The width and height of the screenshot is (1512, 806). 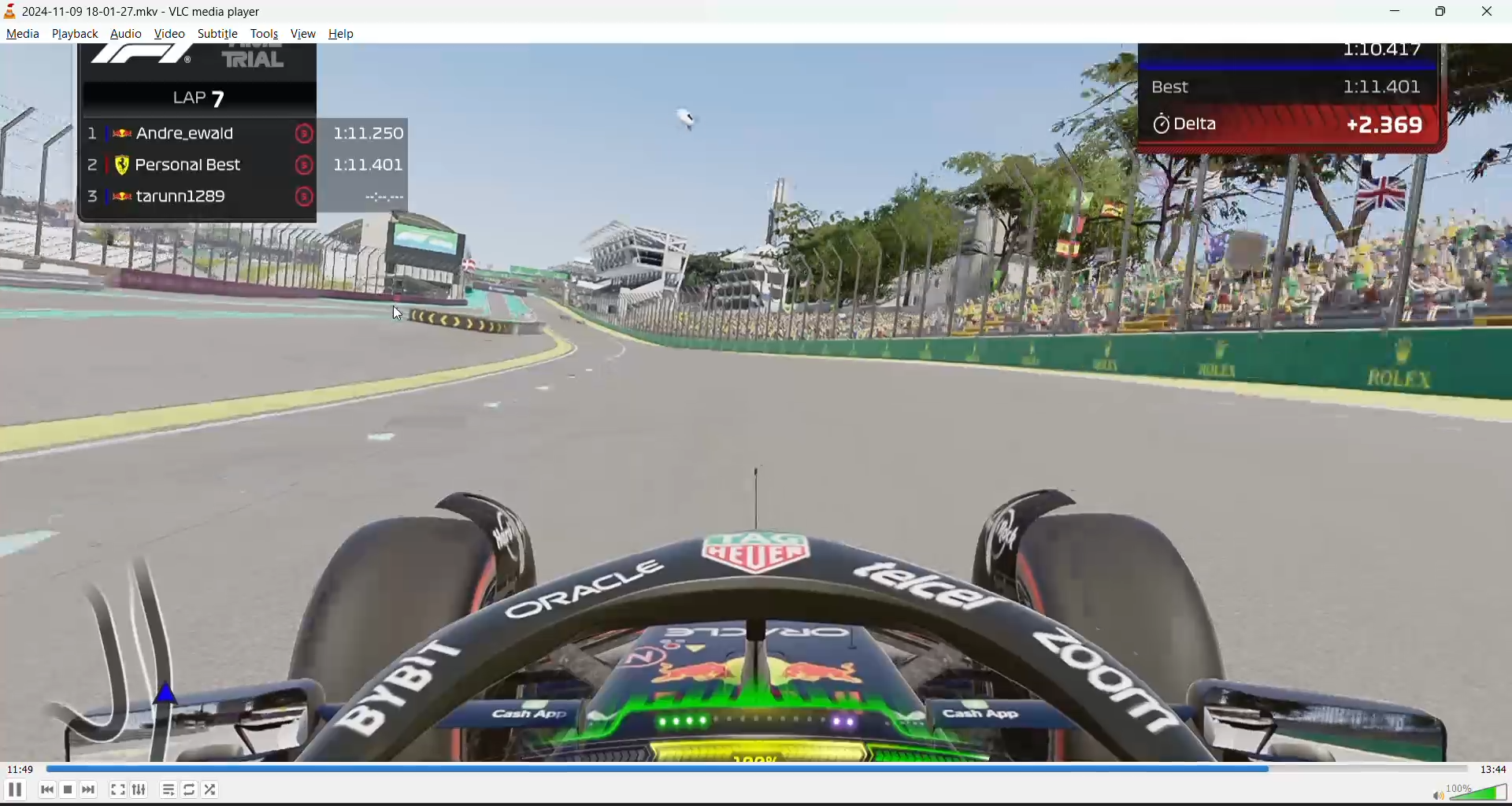 What do you see at coordinates (217, 35) in the screenshot?
I see `subtitle` at bounding box center [217, 35].